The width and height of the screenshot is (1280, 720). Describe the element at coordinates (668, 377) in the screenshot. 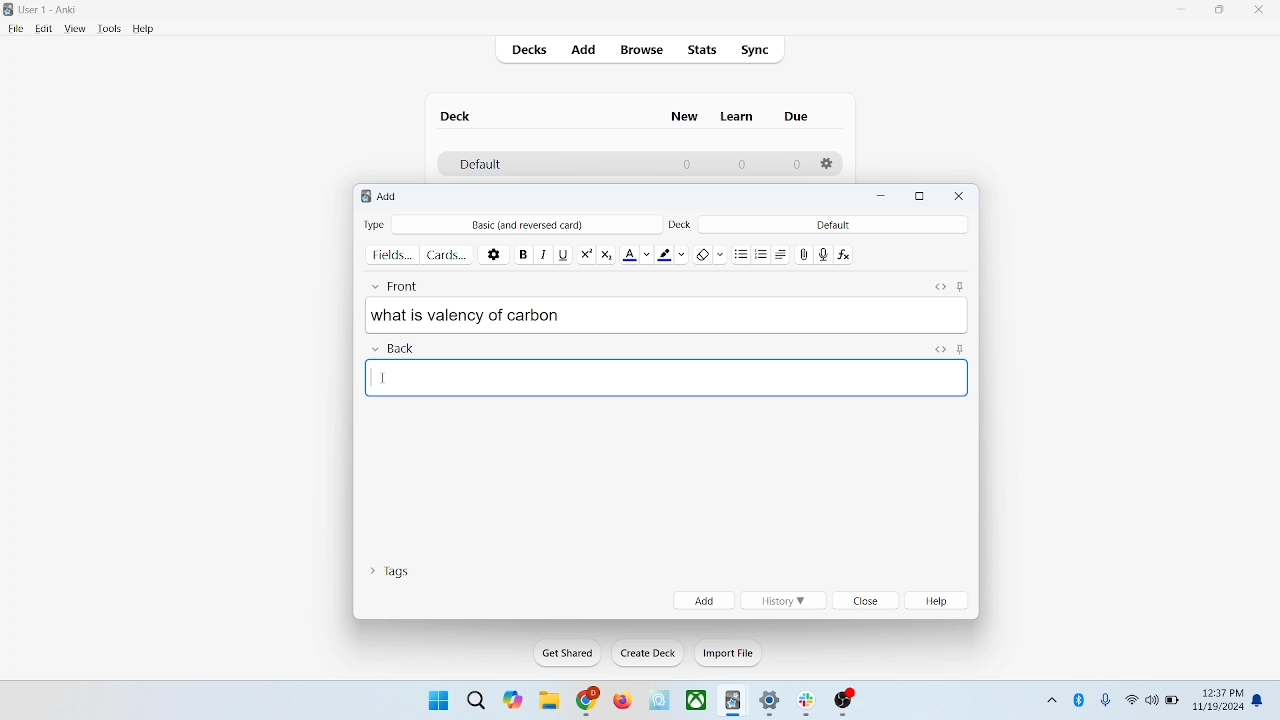

I see `blank space` at that location.